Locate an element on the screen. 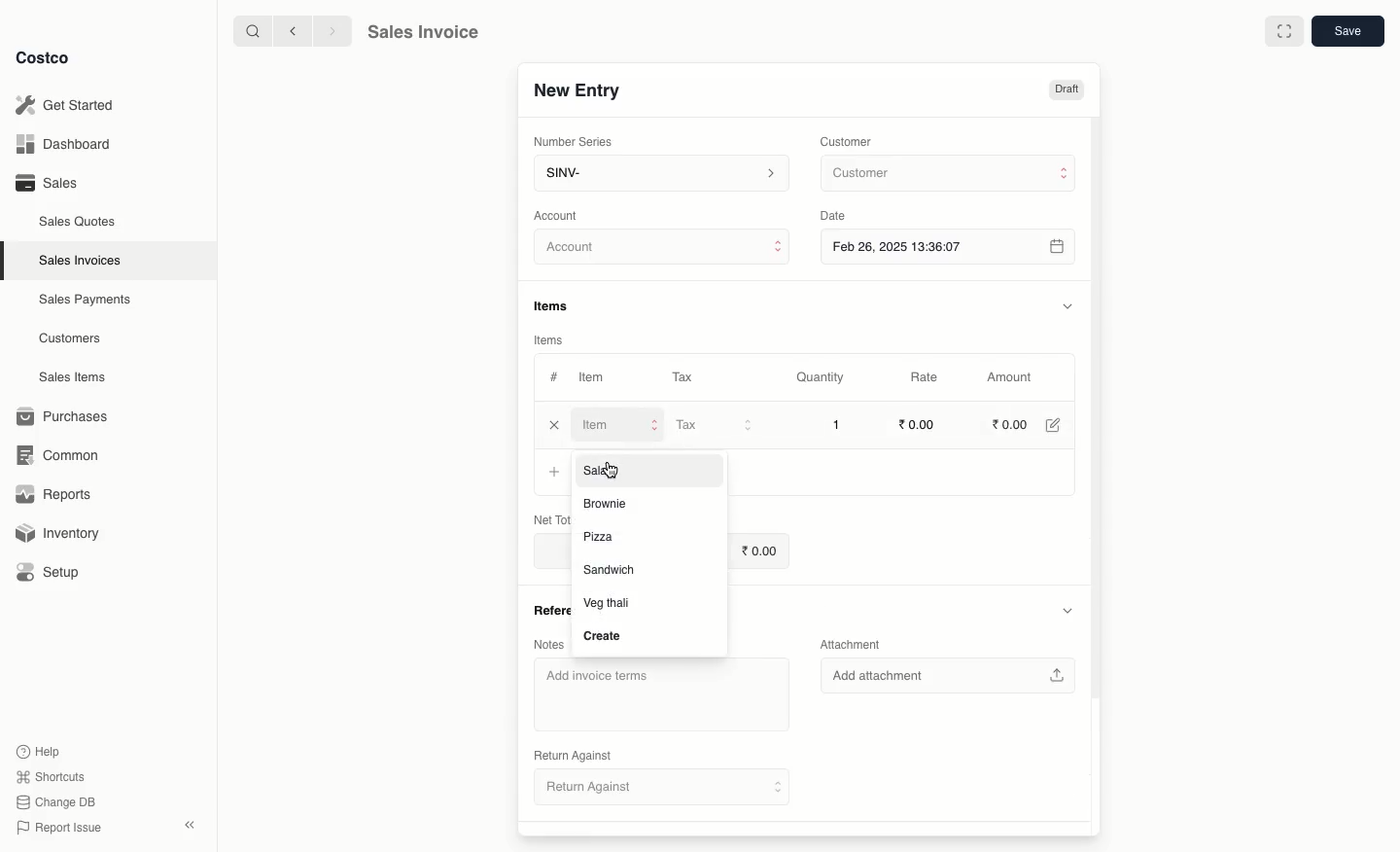 The image size is (1400, 852). Sales Quotes is located at coordinates (80, 221).